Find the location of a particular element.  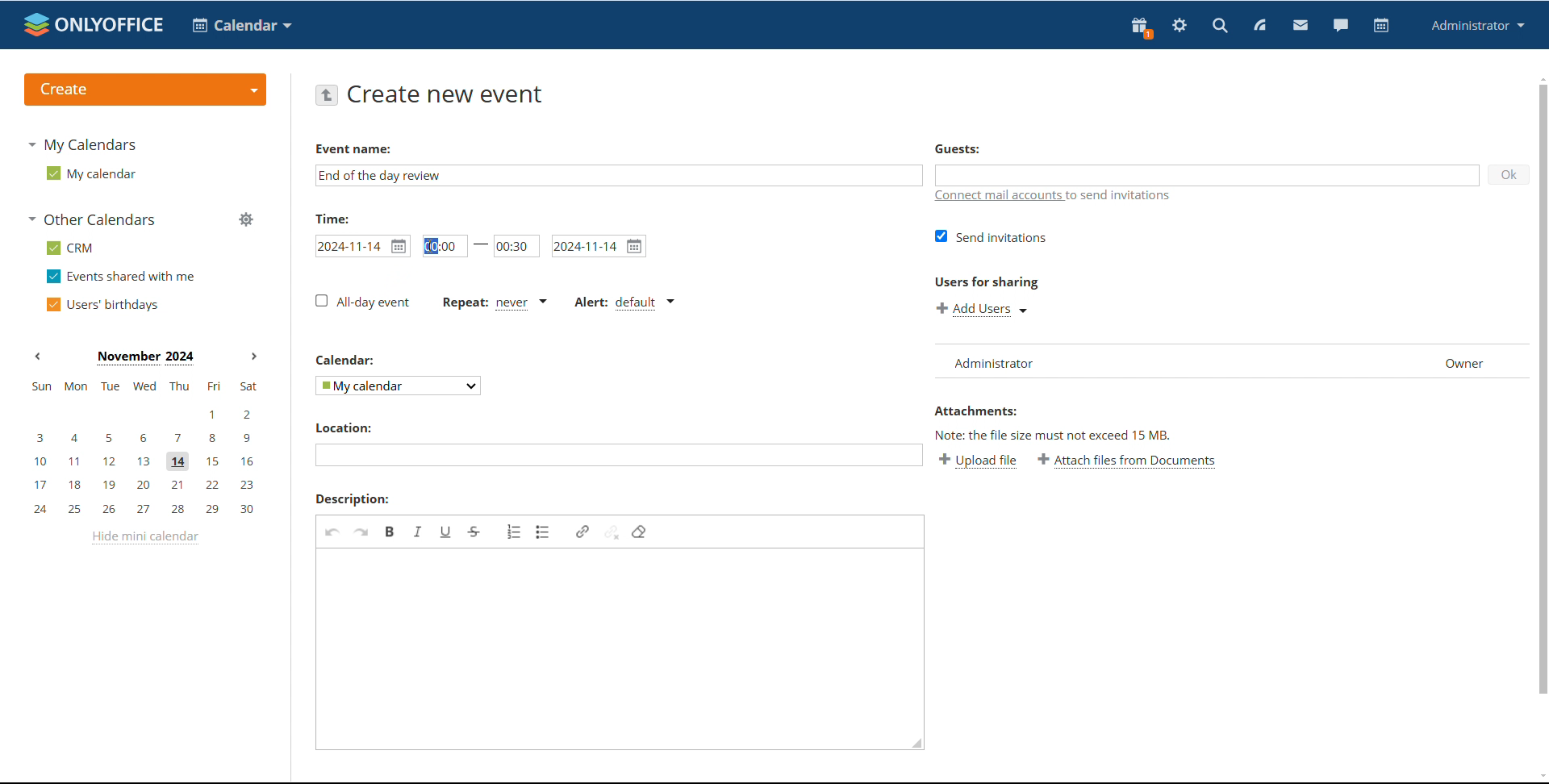

go back is located at coordinates (326, 94).